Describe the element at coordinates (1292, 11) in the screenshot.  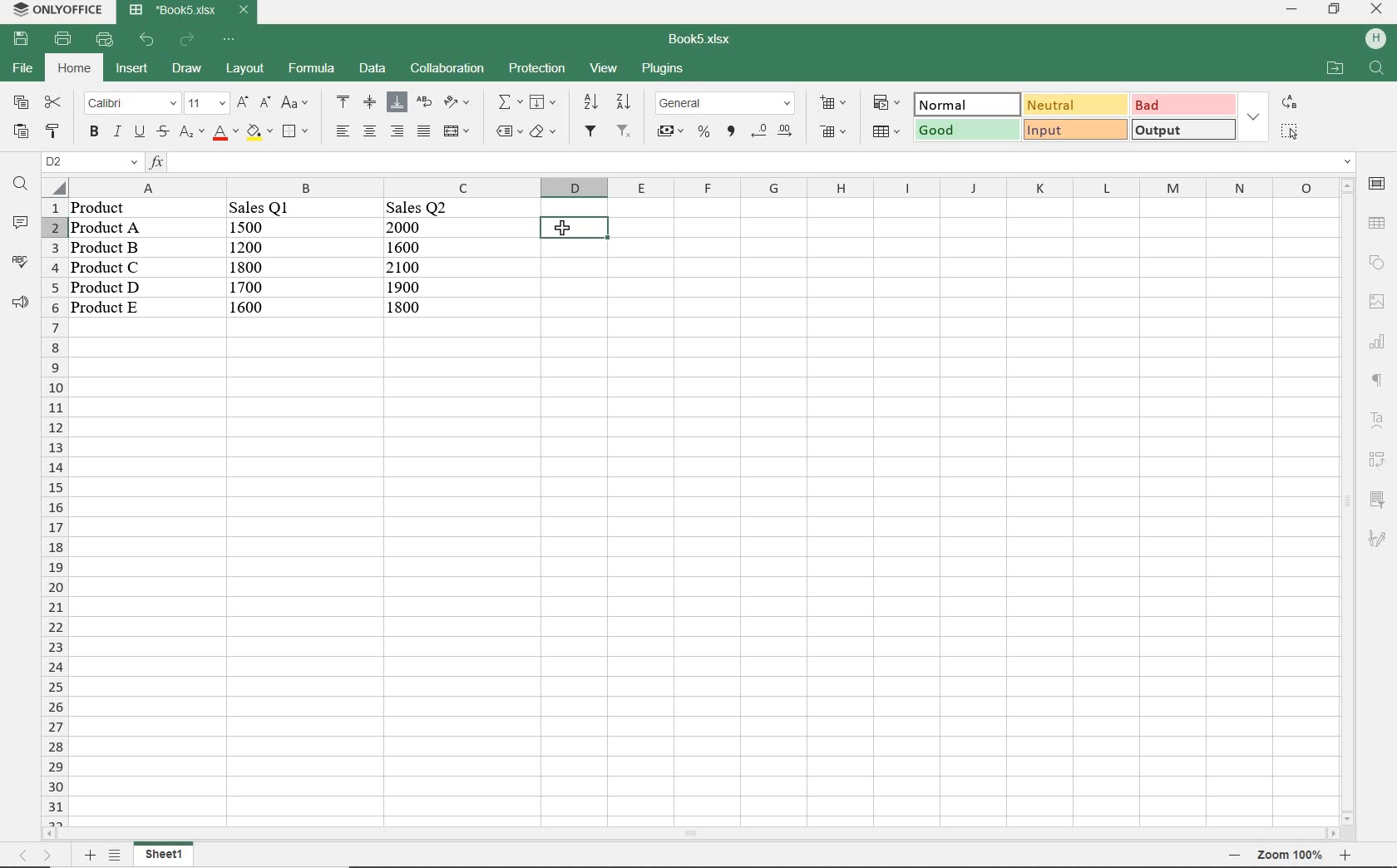
I see `minimize` at that location.